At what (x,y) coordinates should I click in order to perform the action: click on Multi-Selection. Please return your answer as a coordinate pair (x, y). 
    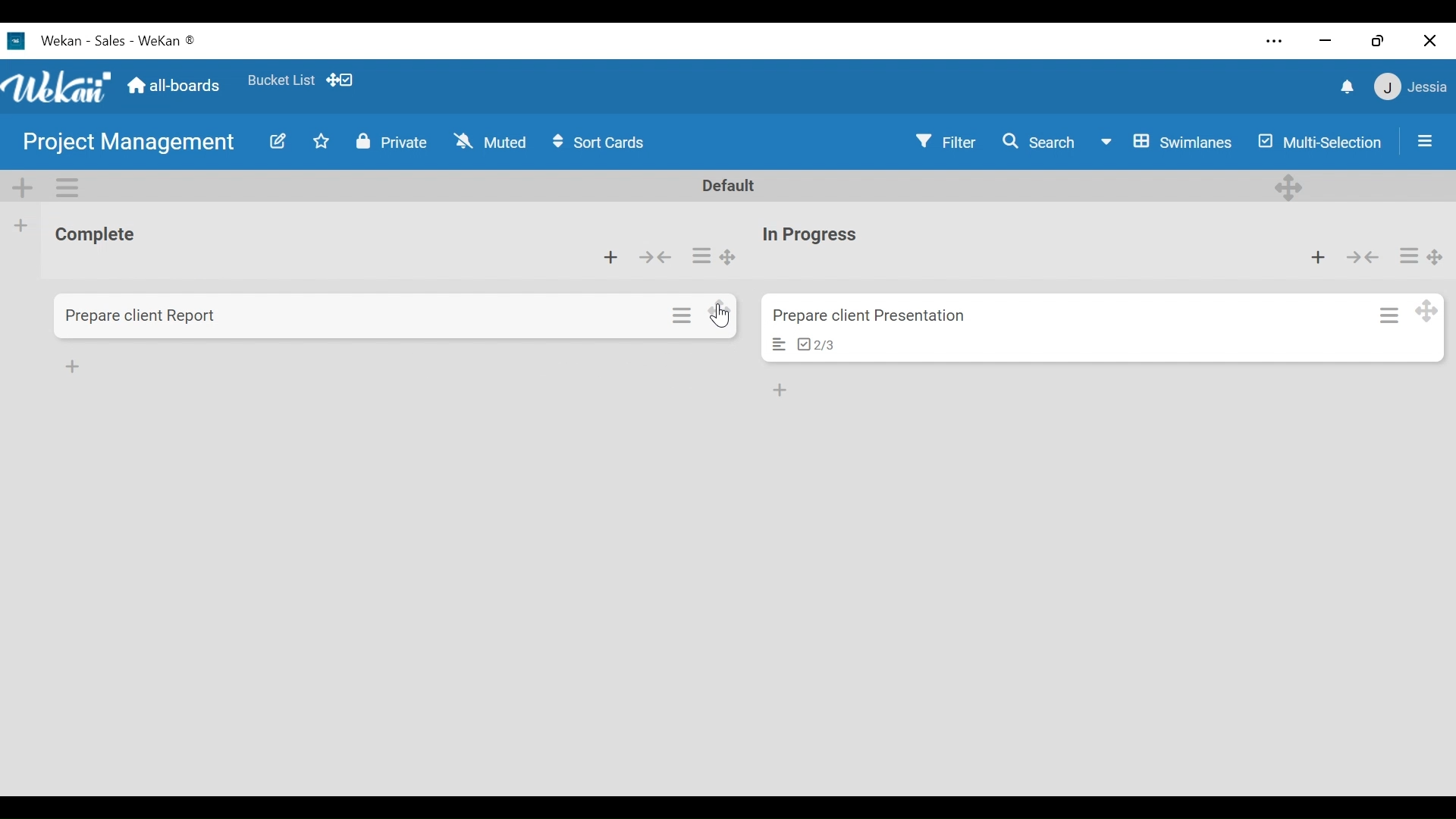
    Looking at the image, I should click on (1319, 144).